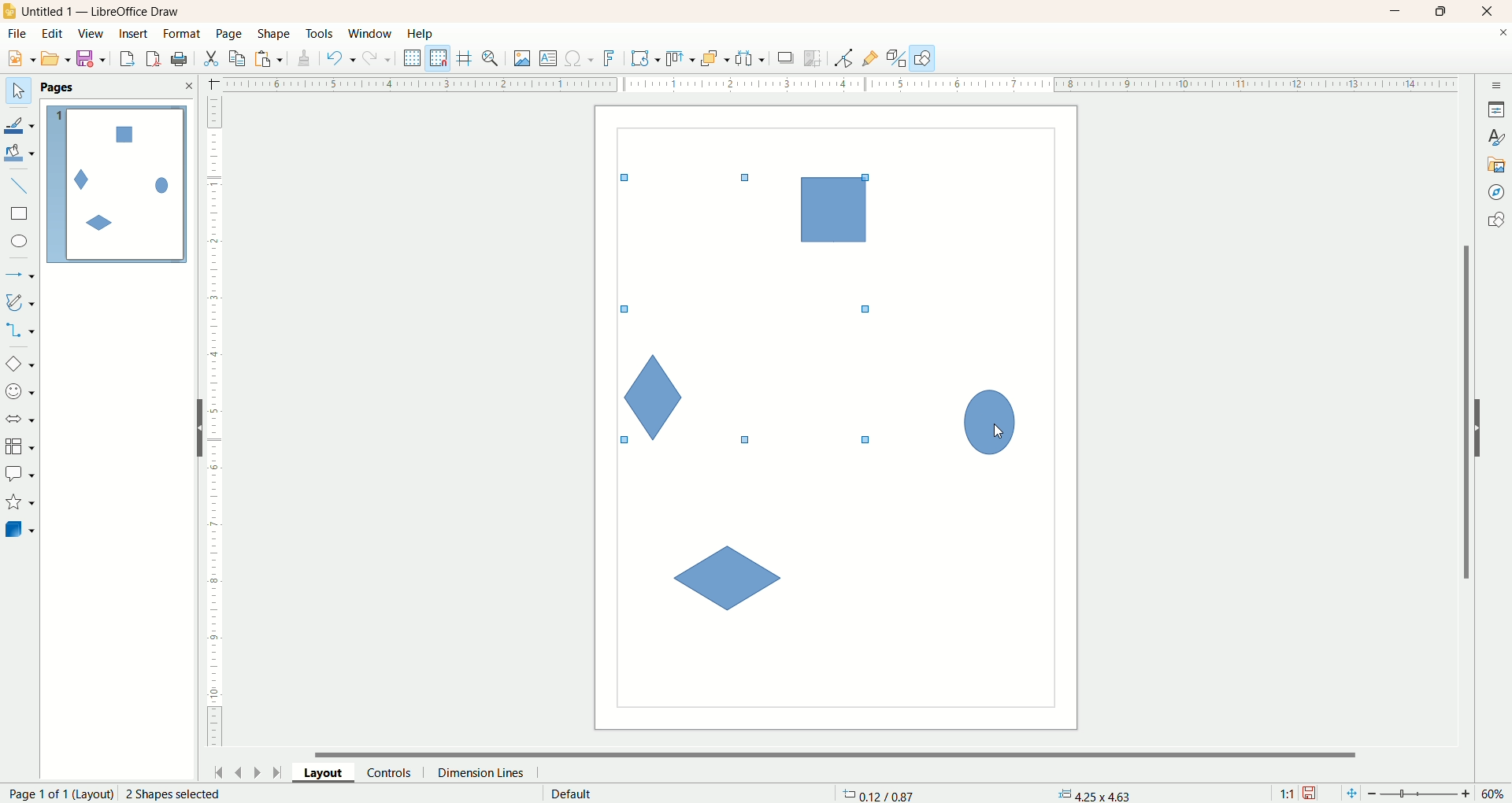  I want to click on helplines, so click(467, 58).